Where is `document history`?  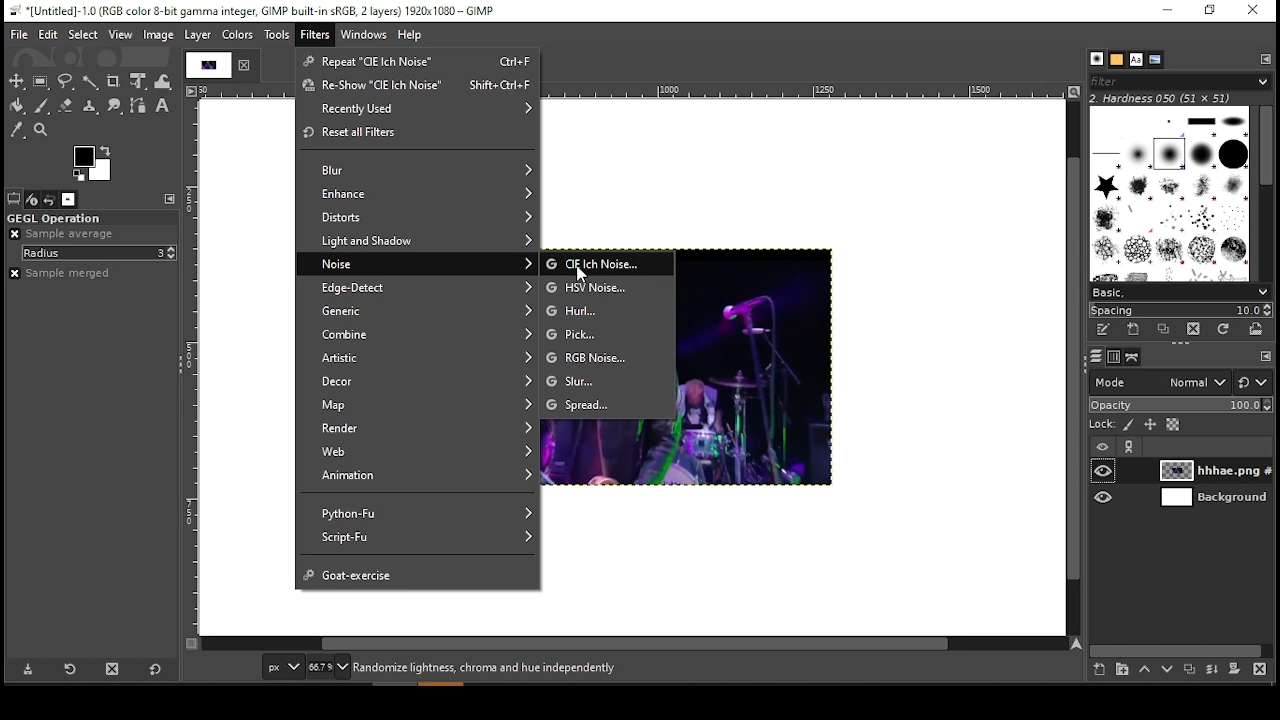 document history is located at coordinates (1152, 60).